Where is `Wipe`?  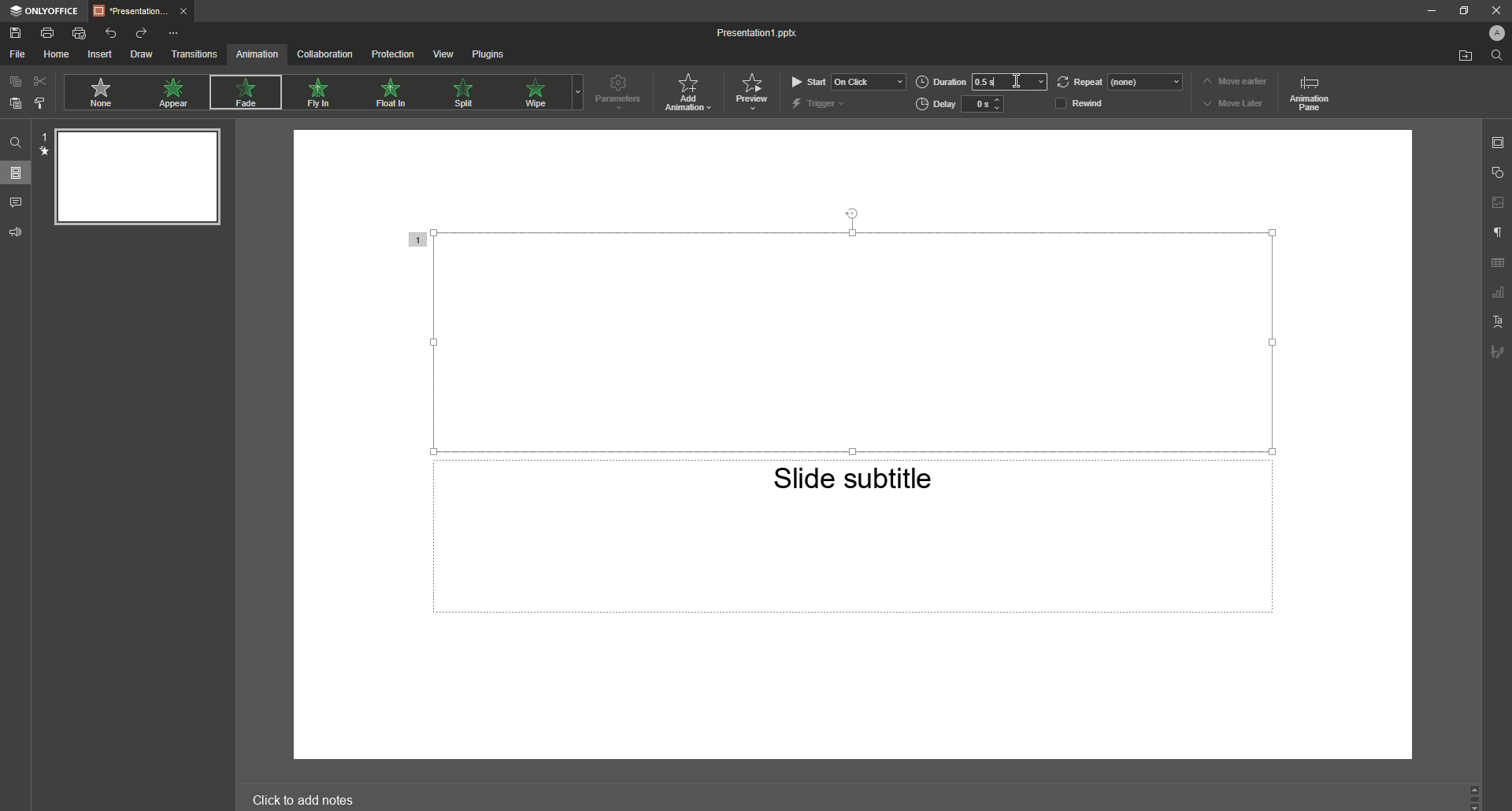 Wipe is located at coordinates (535, 93).